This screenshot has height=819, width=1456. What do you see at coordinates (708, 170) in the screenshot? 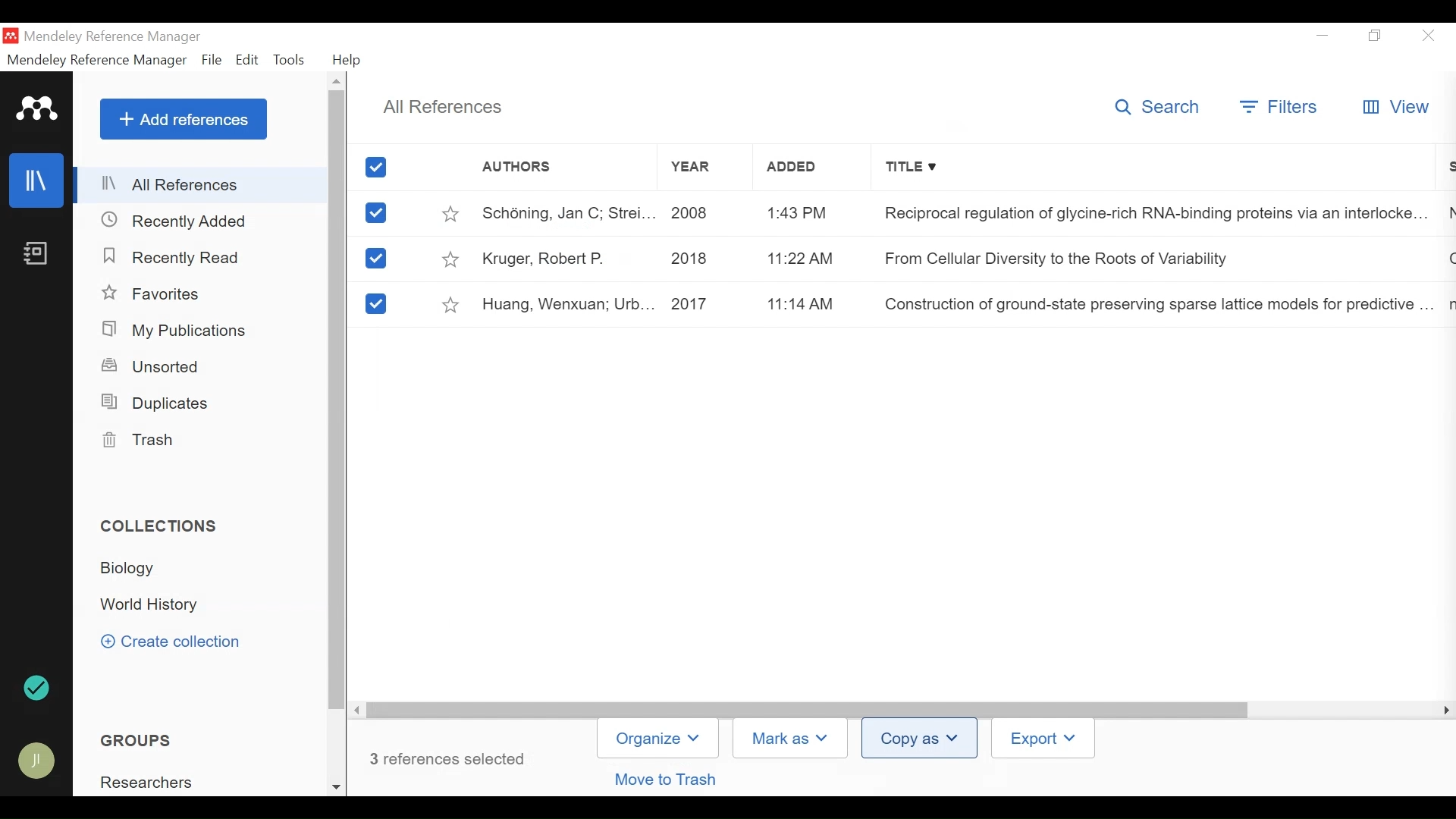
I see `Year` at bounding box center [708, 170].